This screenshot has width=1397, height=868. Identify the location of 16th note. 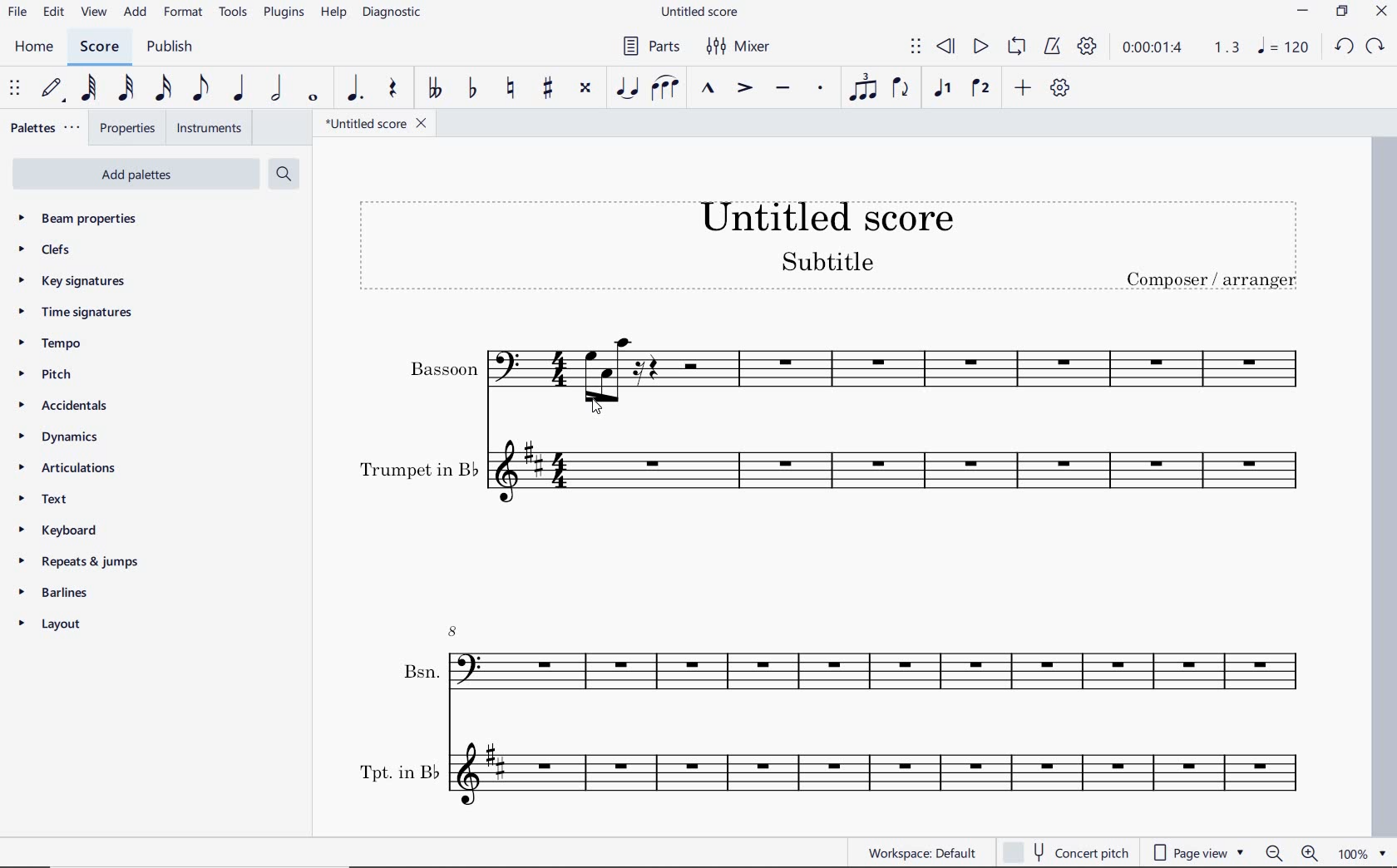
(164, 90).